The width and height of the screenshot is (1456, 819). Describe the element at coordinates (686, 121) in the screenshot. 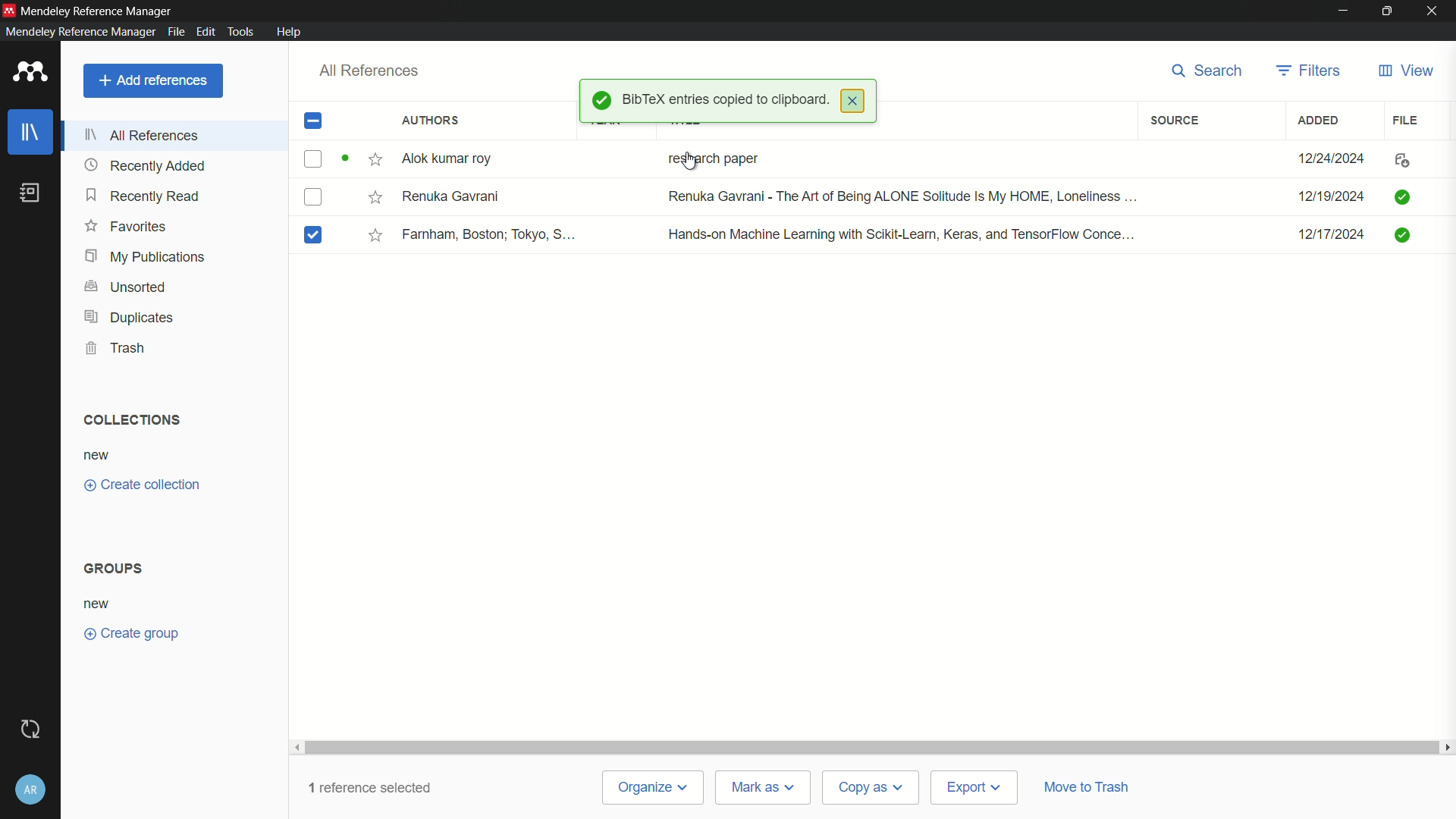

I see `title` at that location.